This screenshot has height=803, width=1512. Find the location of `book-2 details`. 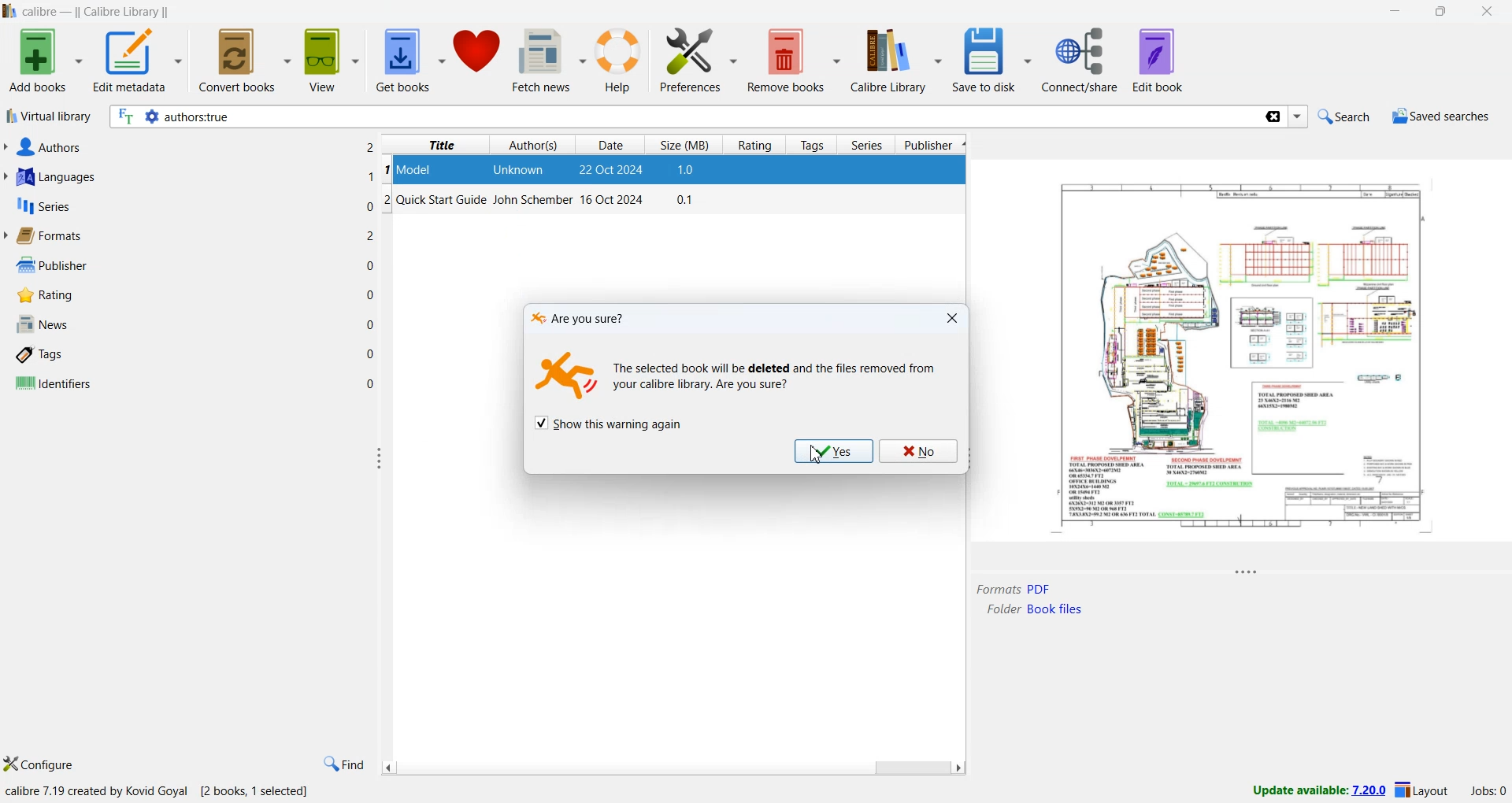

book-2 details is located at coordinates (542, 202).